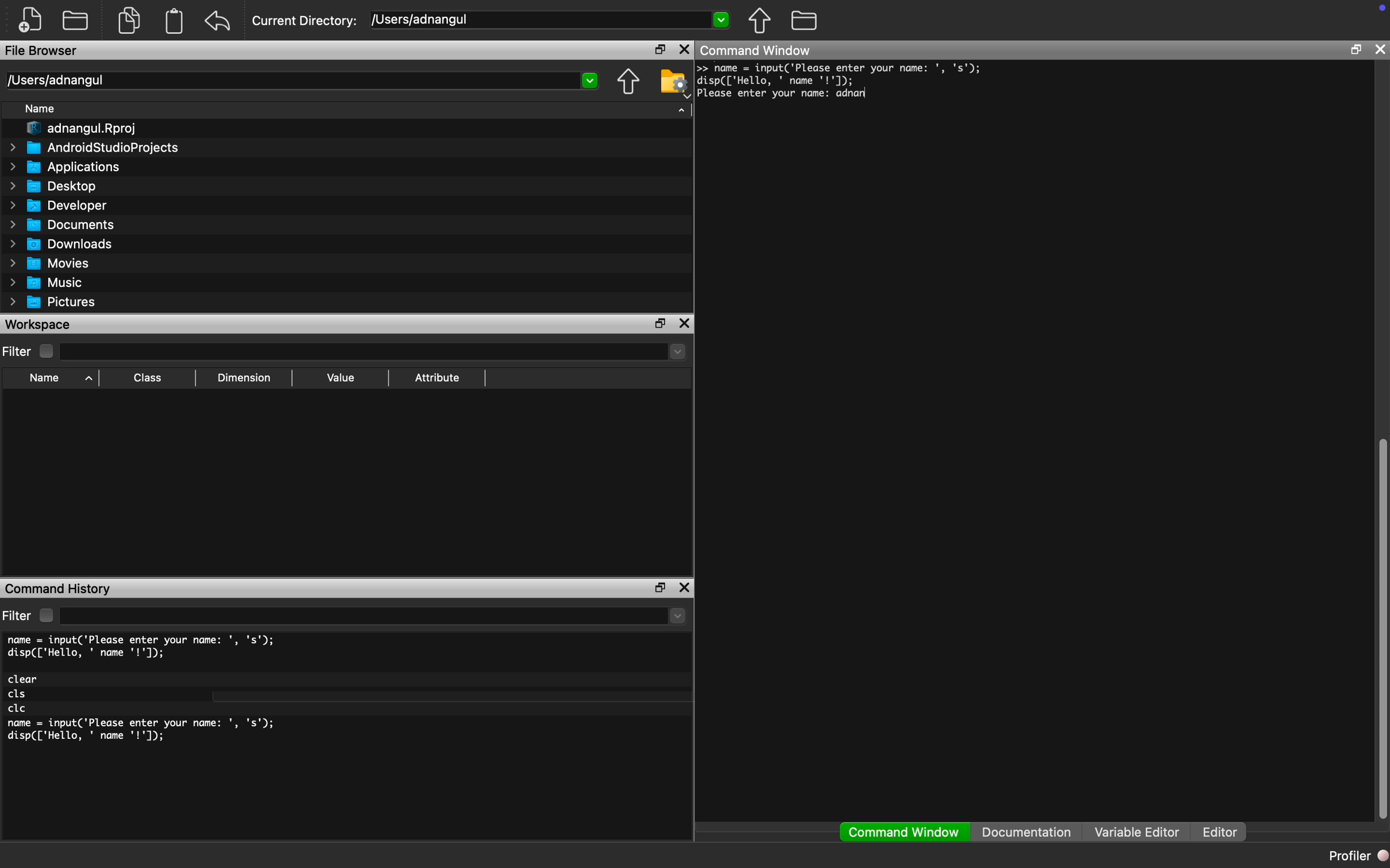  Describe the element at coordinates (45, 283) in the screenshot. I see `Music` at that location.